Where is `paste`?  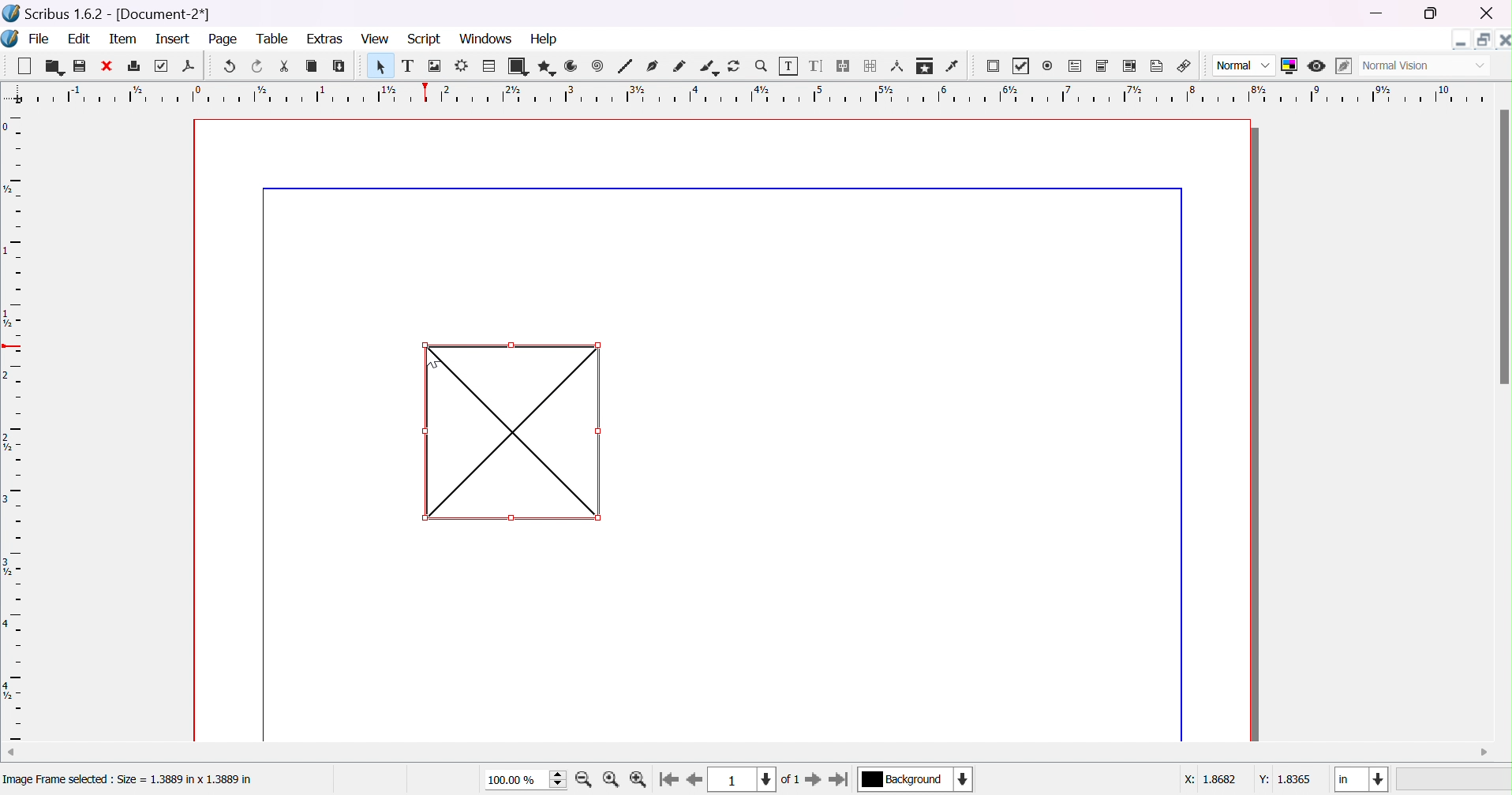
paste is located at coordinates (339, 65).